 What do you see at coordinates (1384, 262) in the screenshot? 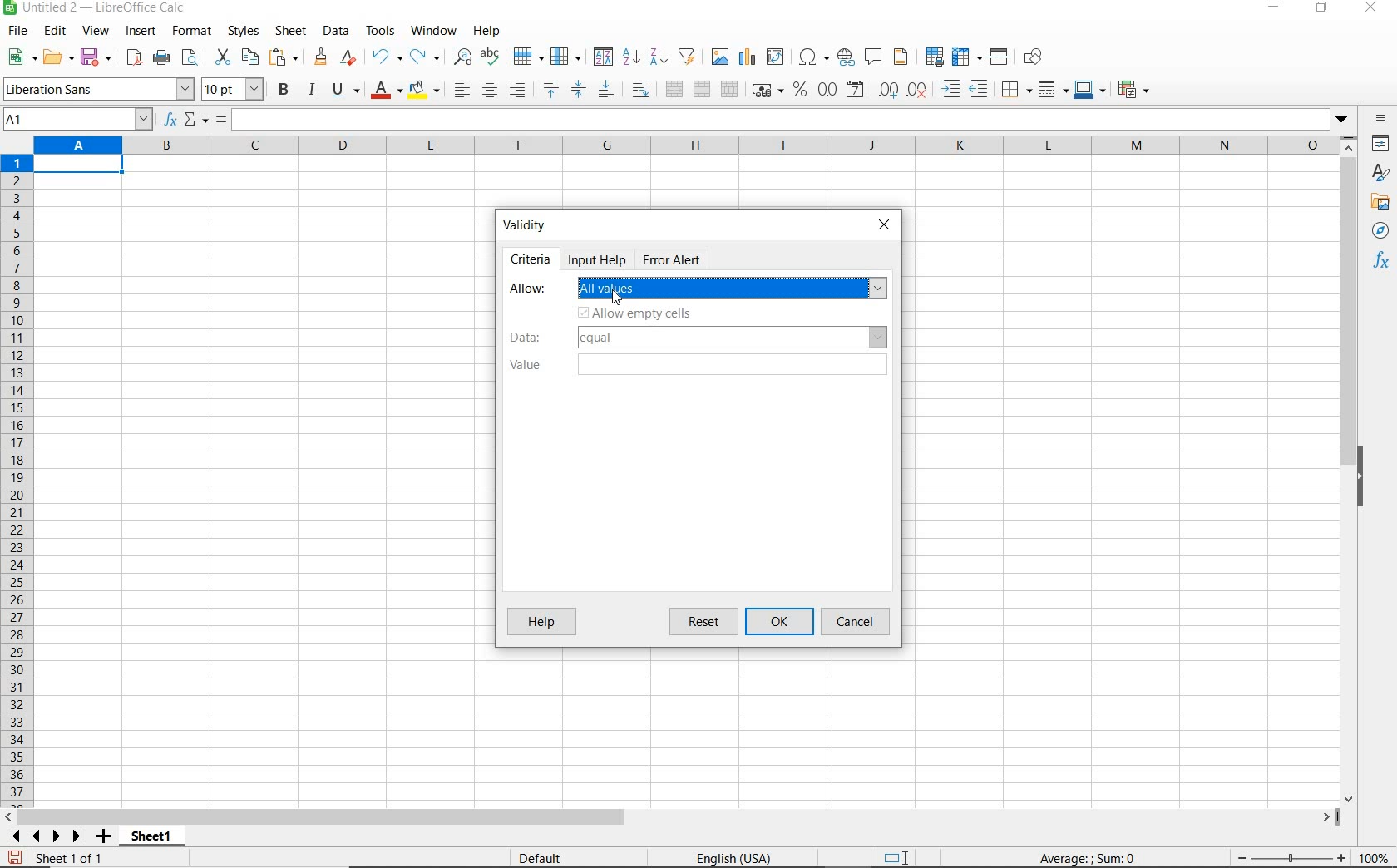
I see `functions` at bounding box center [1384, 262].